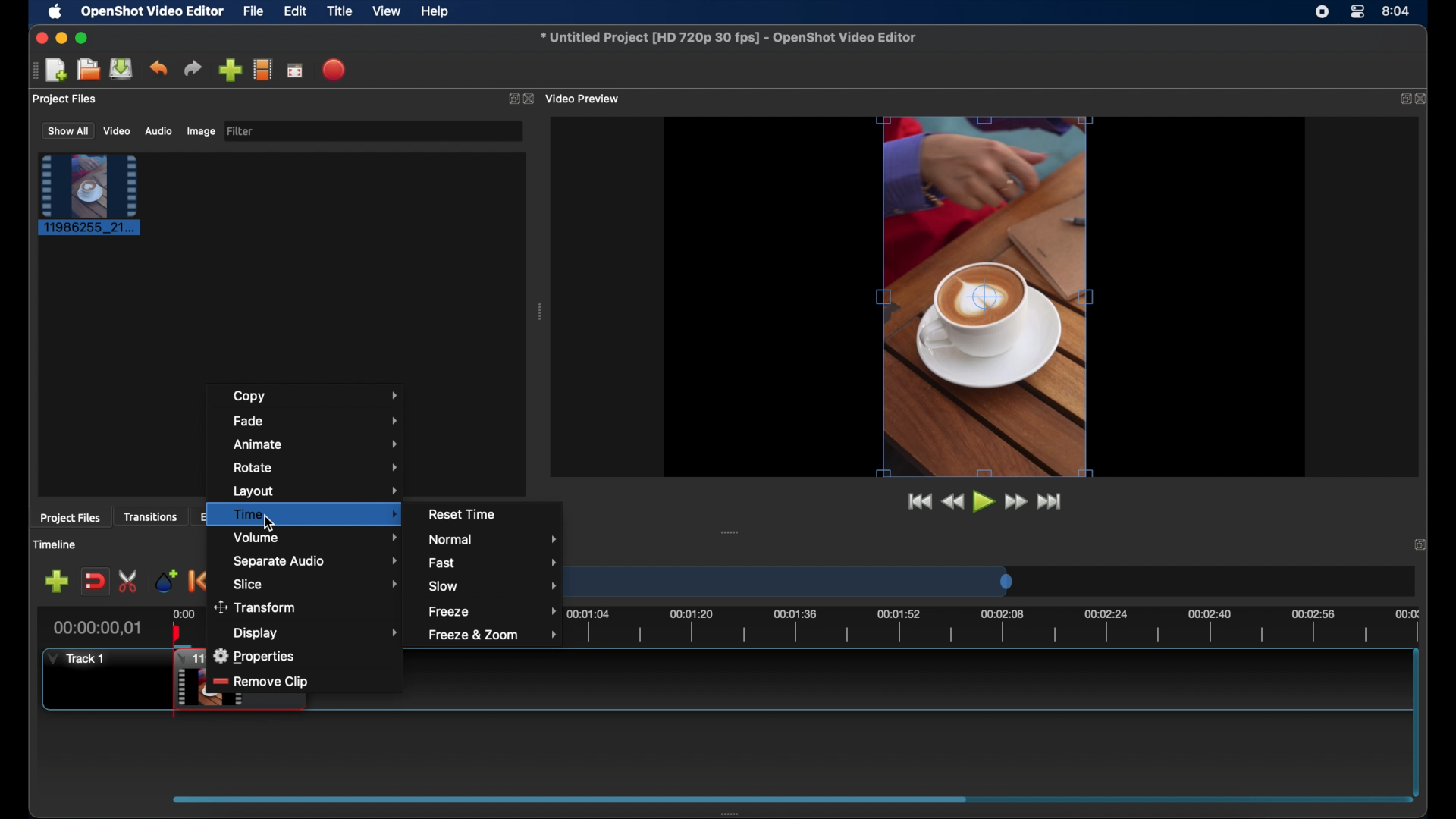 This screenshot has width=1456, height=819. Describe the element at coordinates (90, 195) in the screenshot. I see `project file` at that location.